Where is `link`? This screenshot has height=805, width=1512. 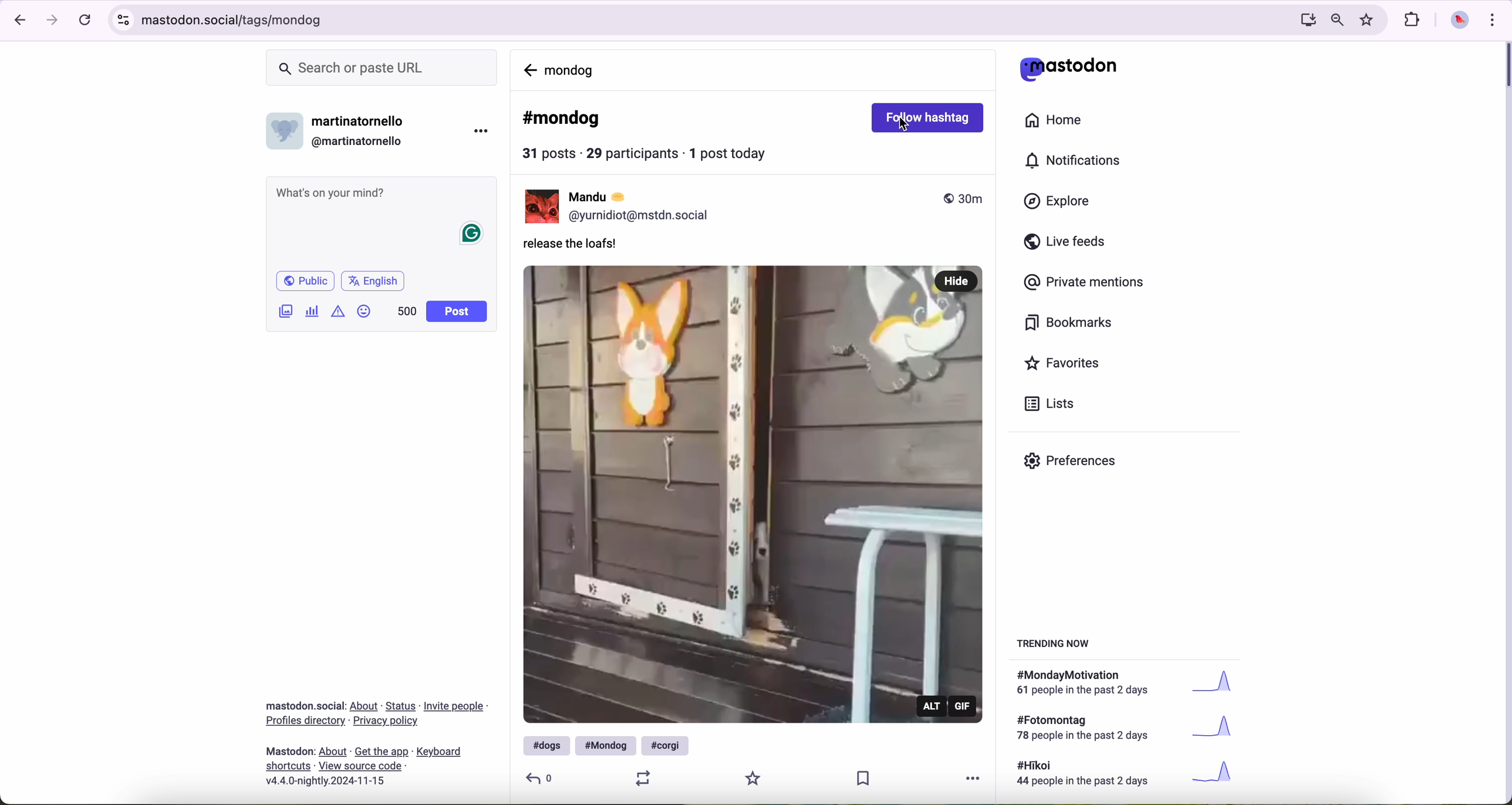 link is located at coordinates (401, 707).